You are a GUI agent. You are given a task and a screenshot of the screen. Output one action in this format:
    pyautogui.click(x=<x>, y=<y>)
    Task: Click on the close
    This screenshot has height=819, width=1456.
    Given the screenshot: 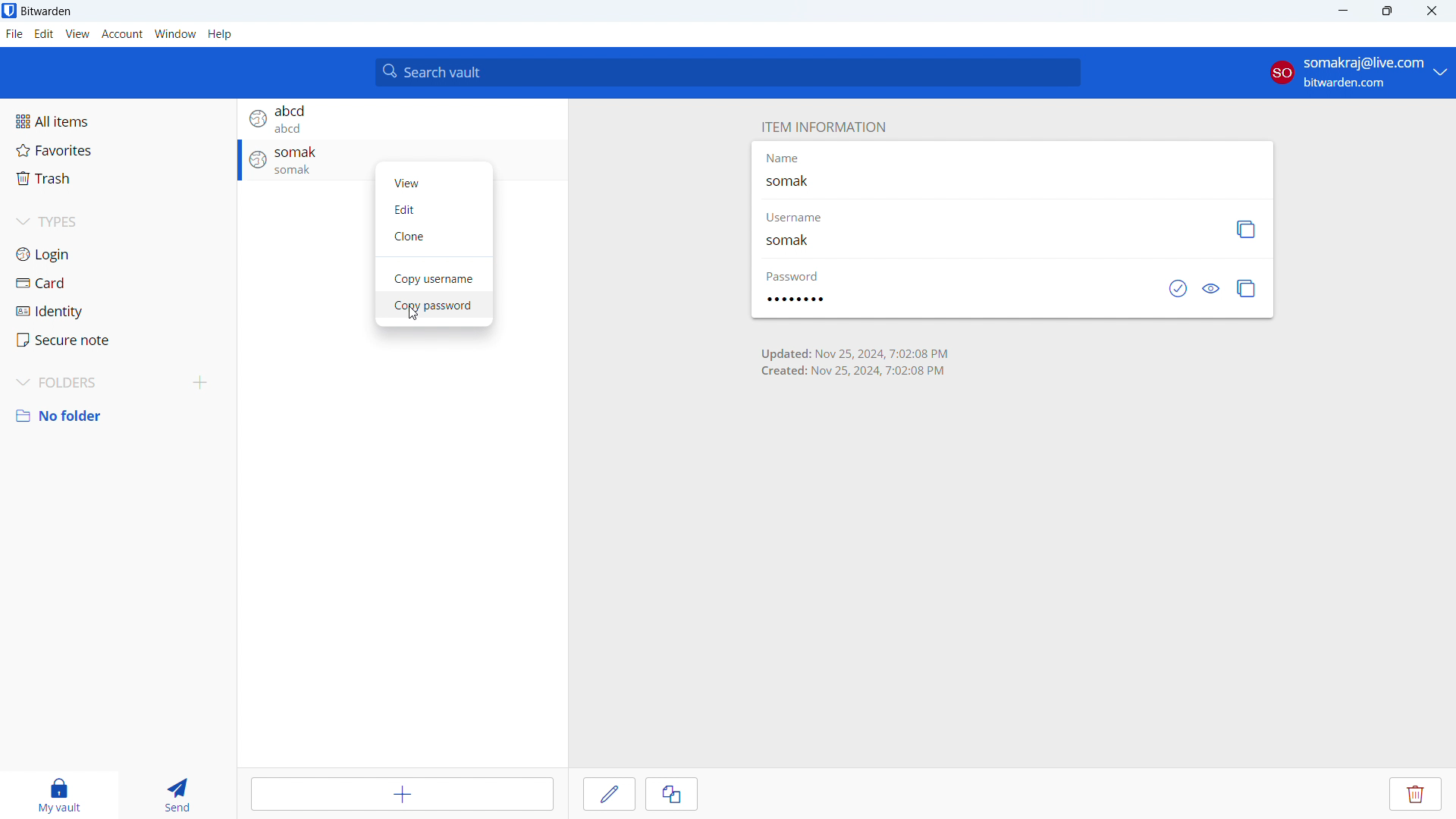 What is the action you would take?
    pyautogui.click(x=1432, y=11)
    